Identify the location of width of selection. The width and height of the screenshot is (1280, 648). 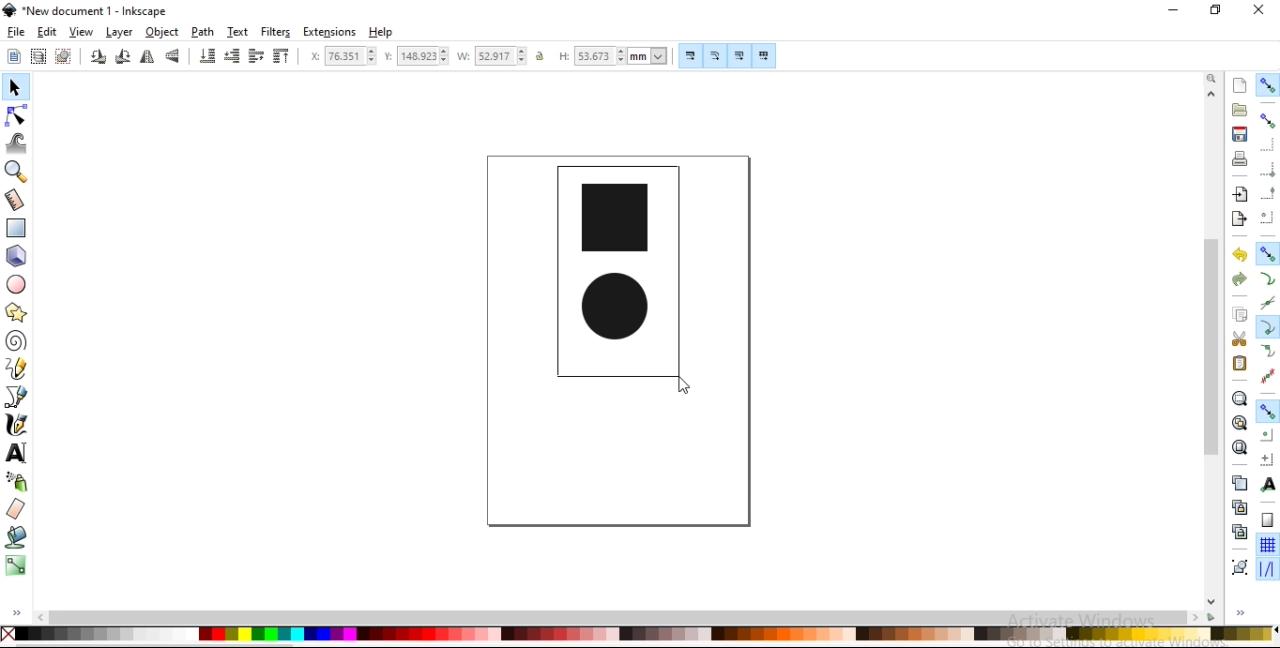
(494, 56).